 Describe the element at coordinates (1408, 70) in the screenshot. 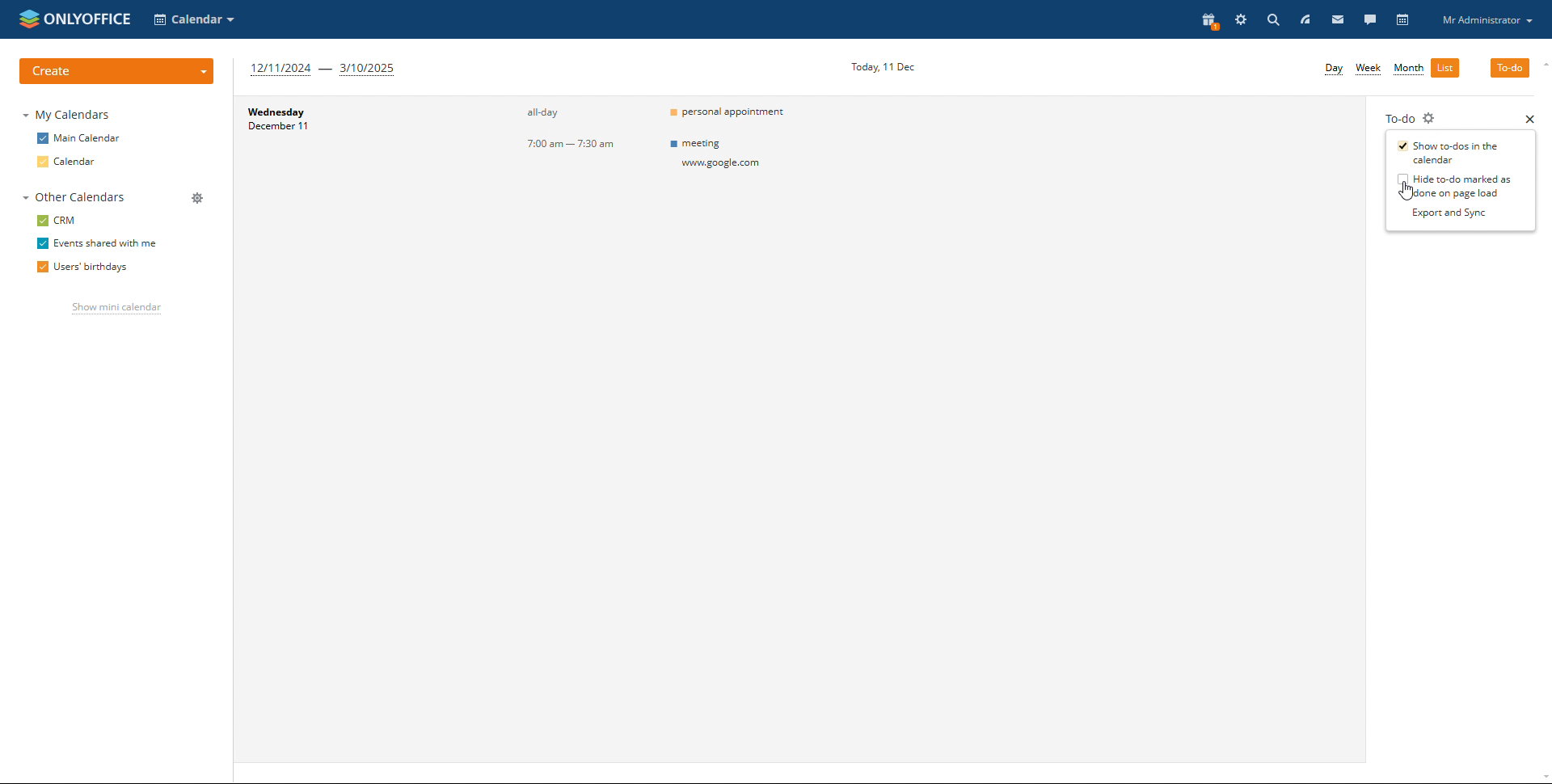

I see `month view` at that location.